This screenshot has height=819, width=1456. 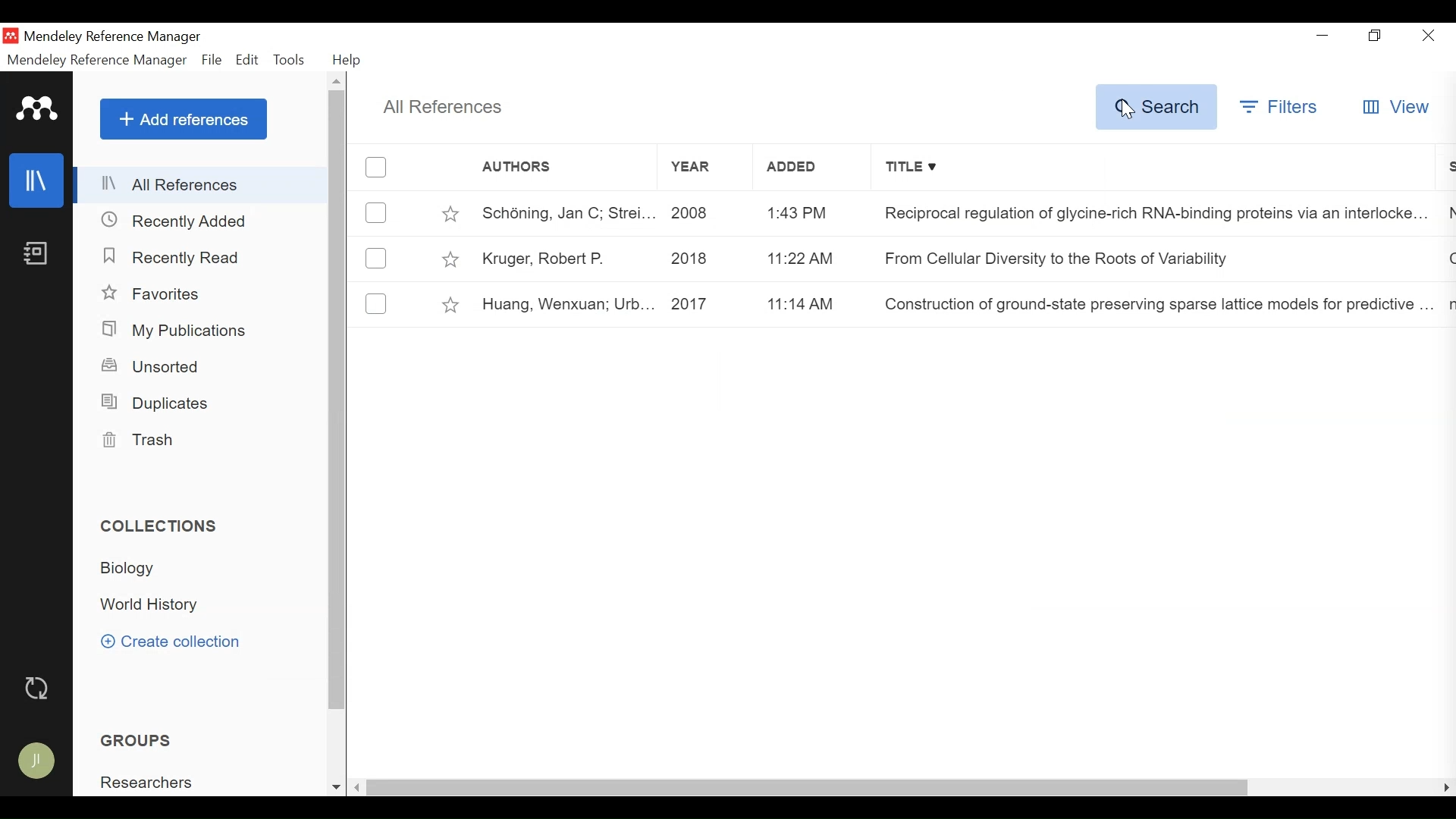 I want to click on Huang, Wenxuan; Urb..., so click(x=563, y=306).